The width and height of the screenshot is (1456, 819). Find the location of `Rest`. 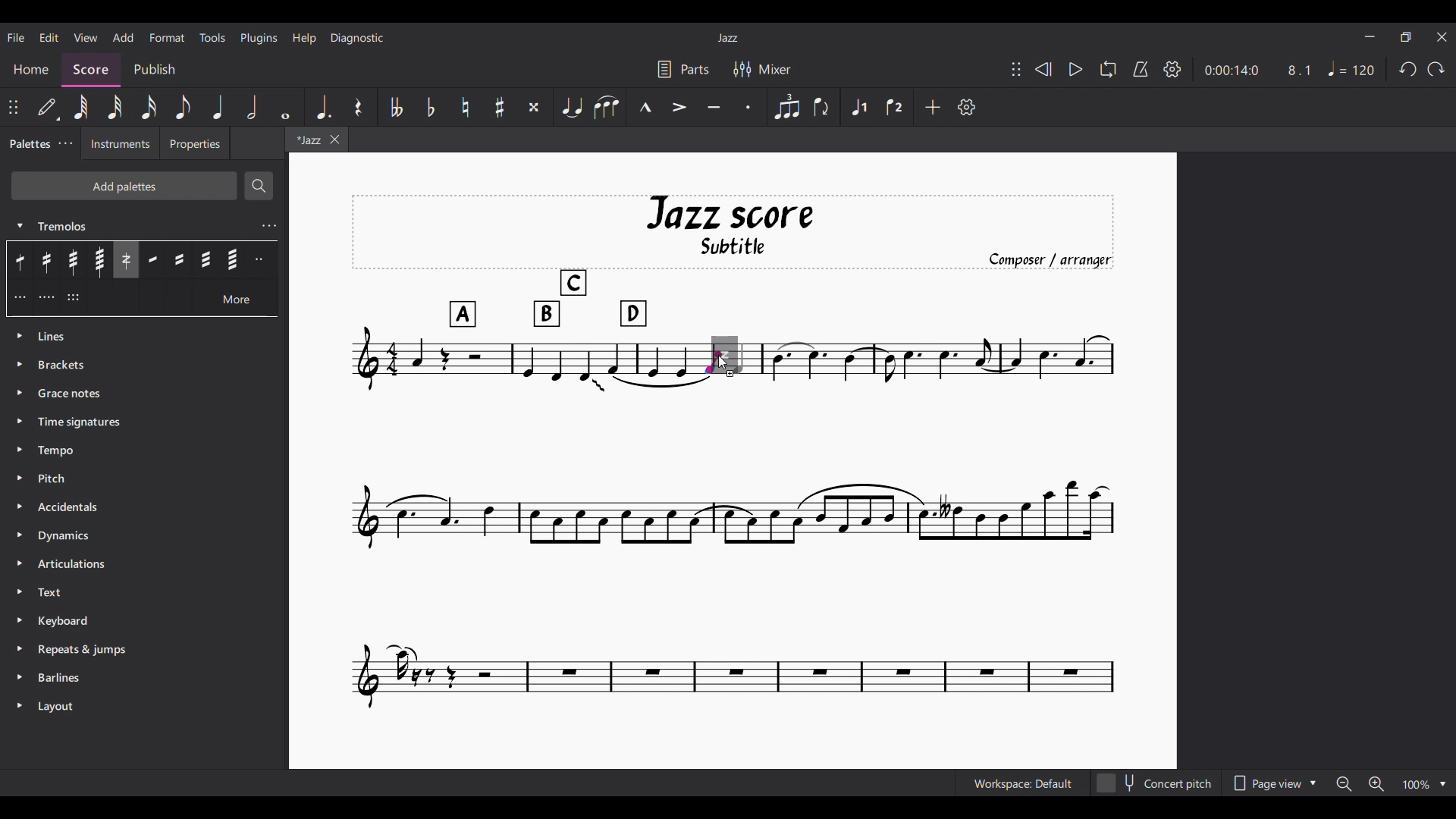

Rest is located at coordinates (359, 106).